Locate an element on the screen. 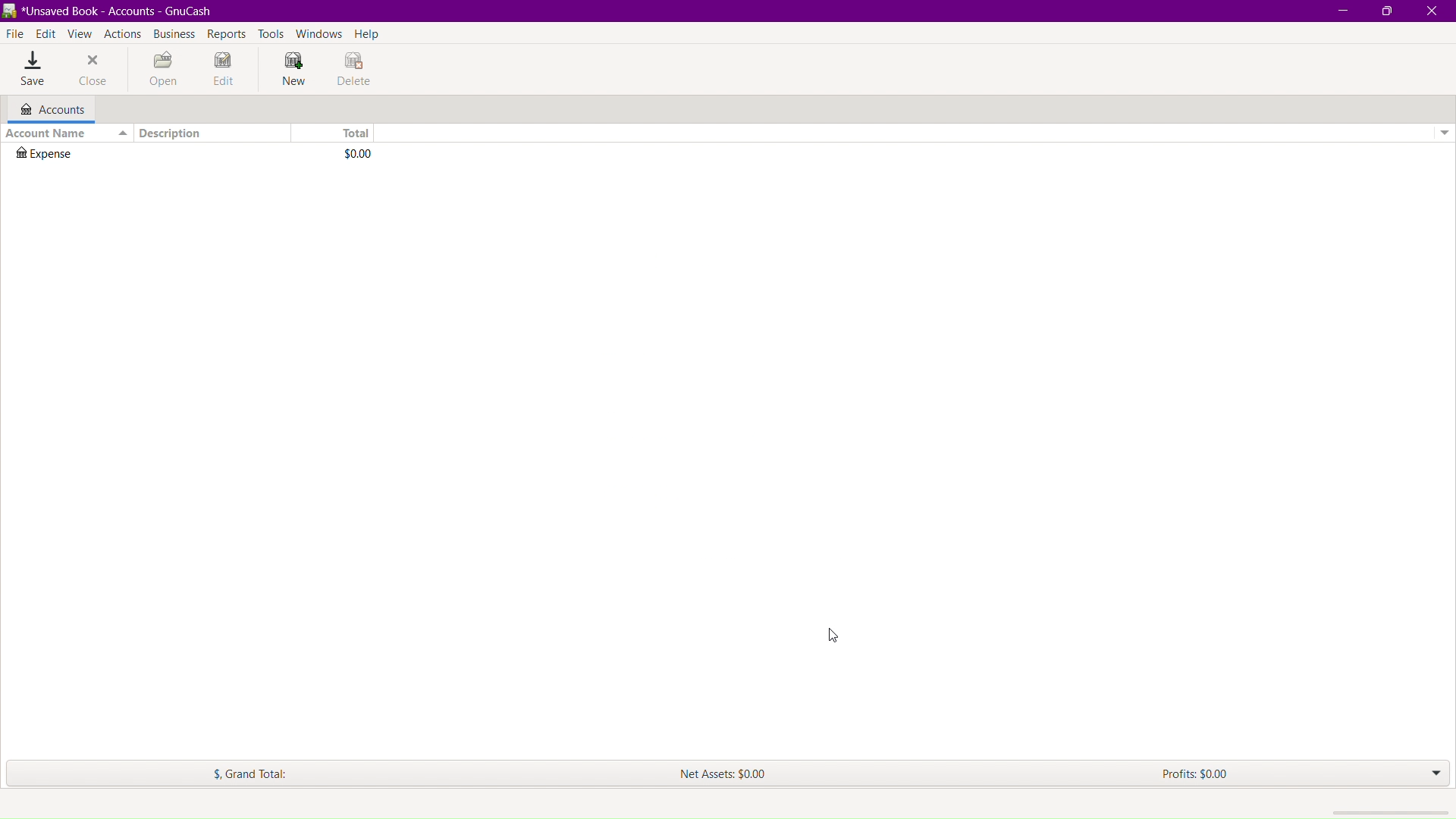 This screenshot has width=1456, height=819. Reports is located at coordinates (224, 32).